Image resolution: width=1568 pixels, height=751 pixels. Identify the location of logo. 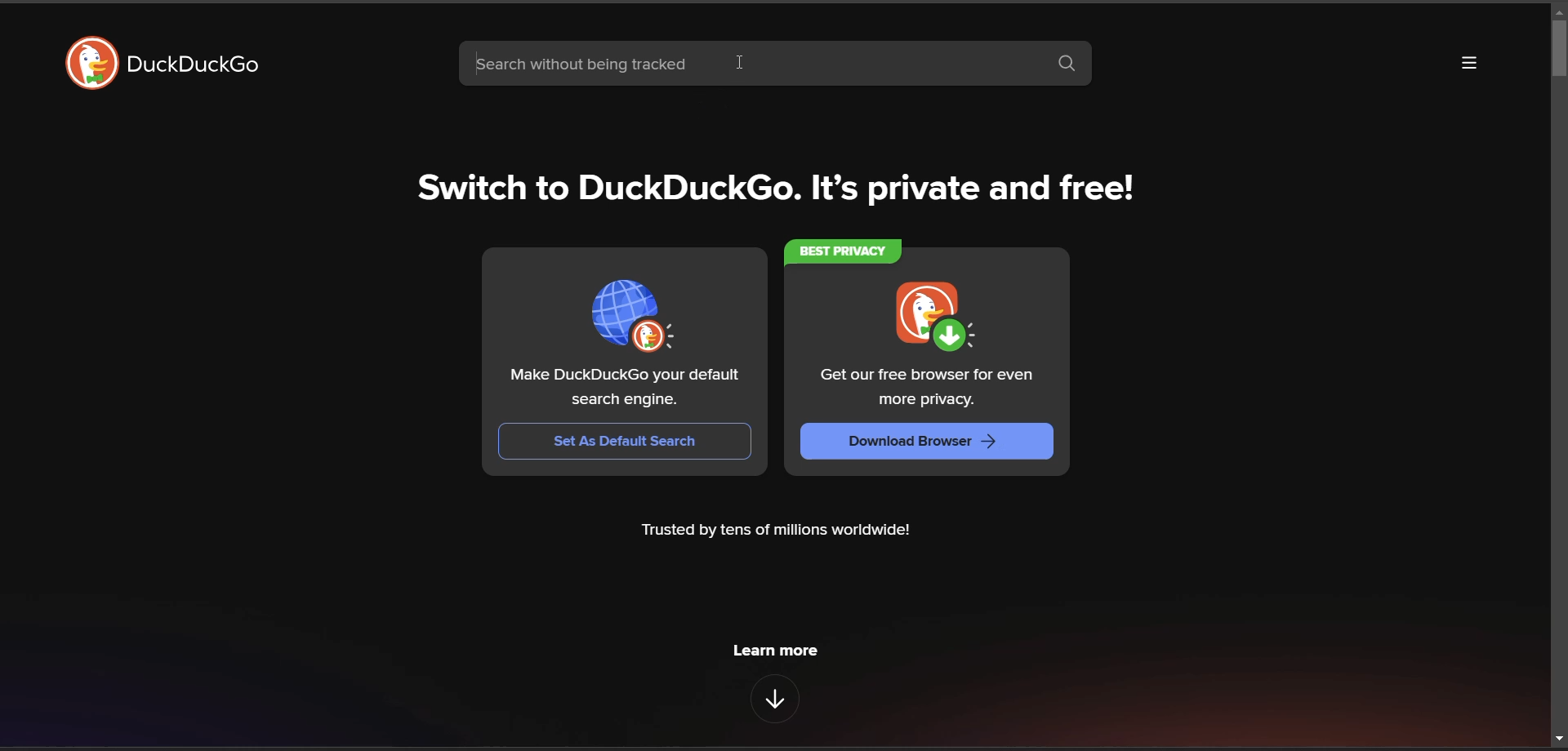
(93, 63).